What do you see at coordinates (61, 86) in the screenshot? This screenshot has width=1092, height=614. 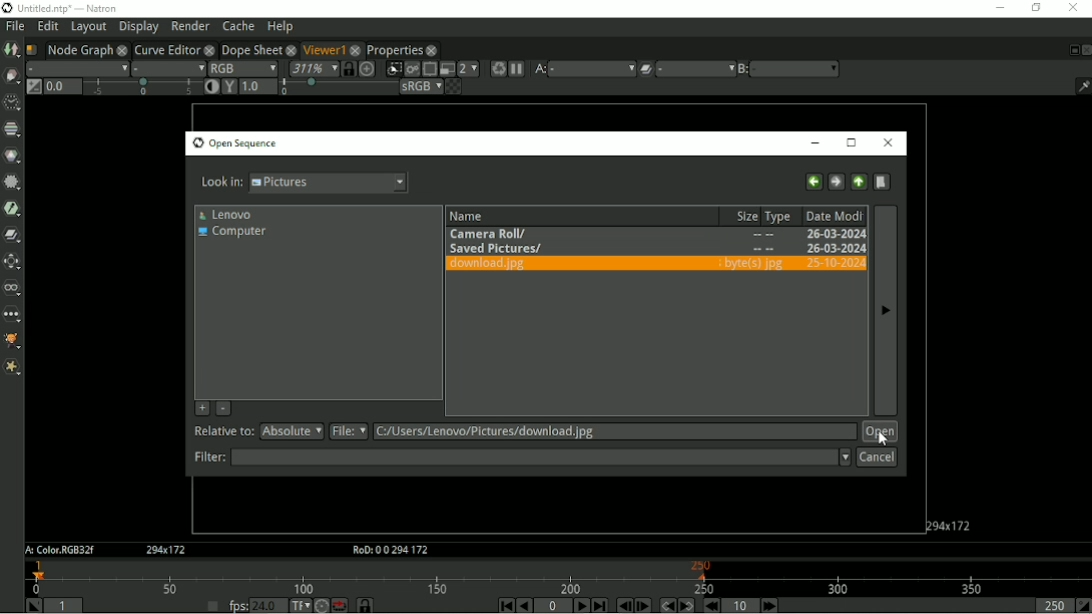 I see `Gain` at bounding box center [61, 86].